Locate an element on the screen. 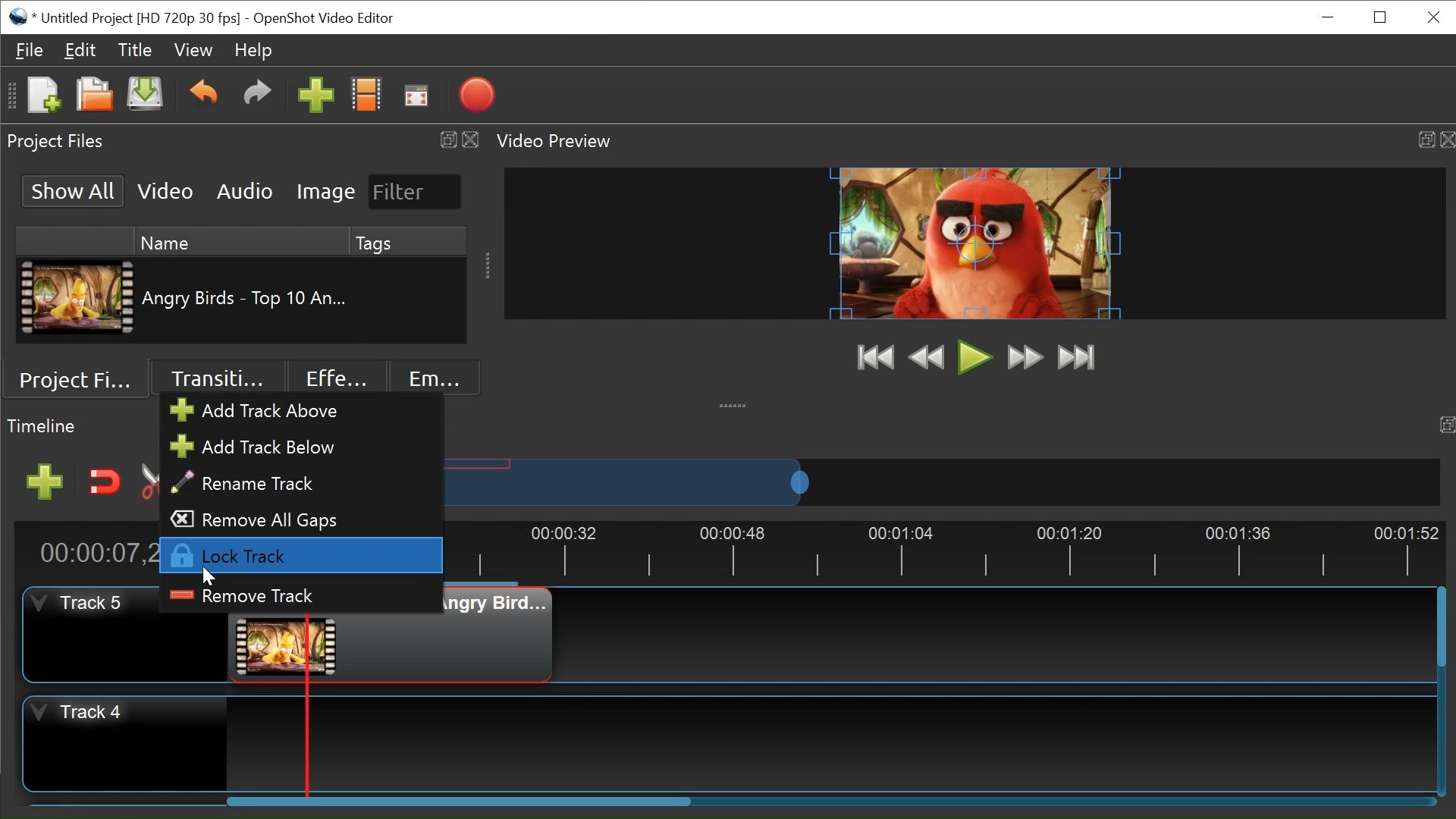 This screenshot has height=819, width=1456. Add Track Above is located at coordinates (267, 411).